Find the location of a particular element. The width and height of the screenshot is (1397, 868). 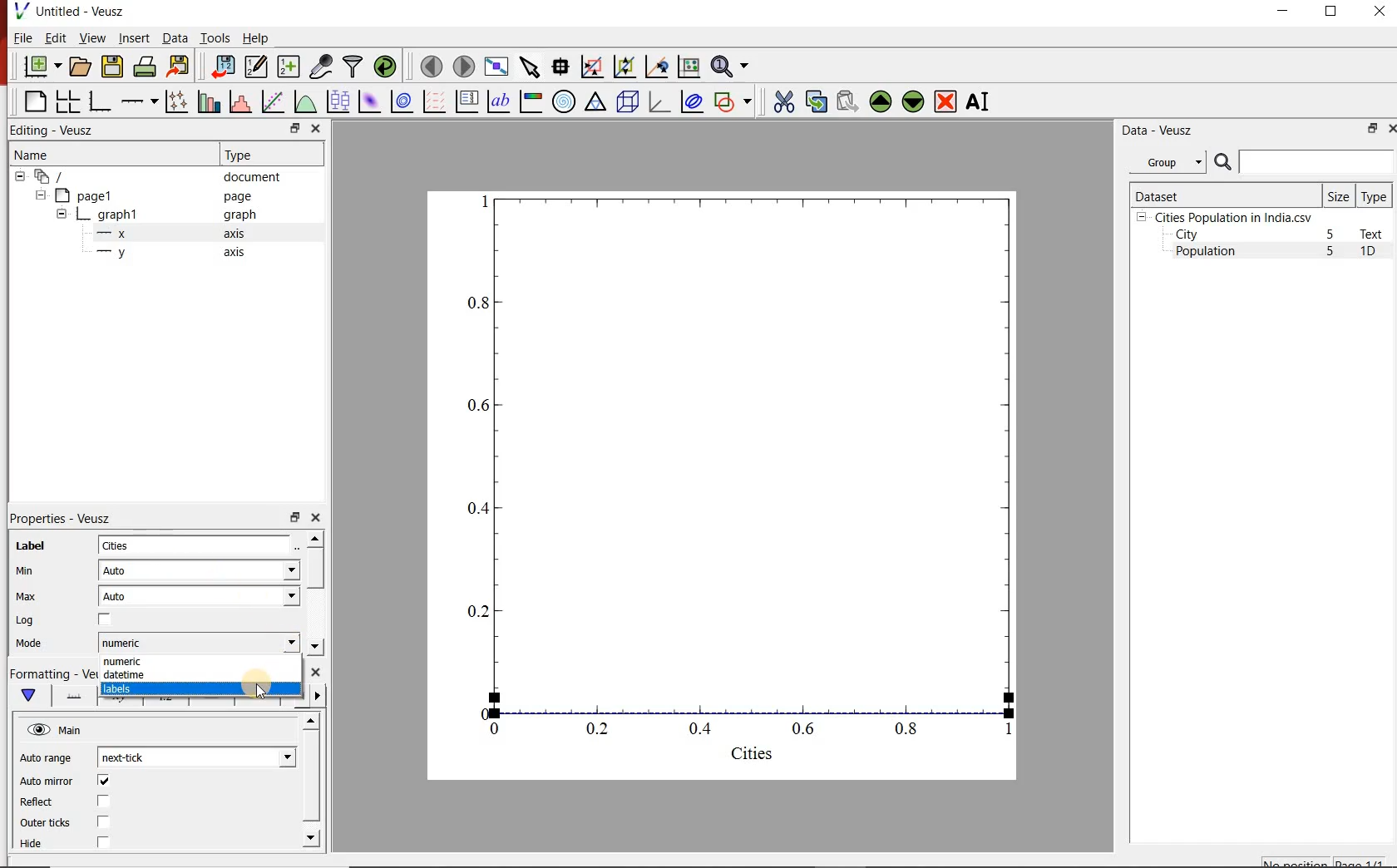

datetime is located at coordinates (173, 673).